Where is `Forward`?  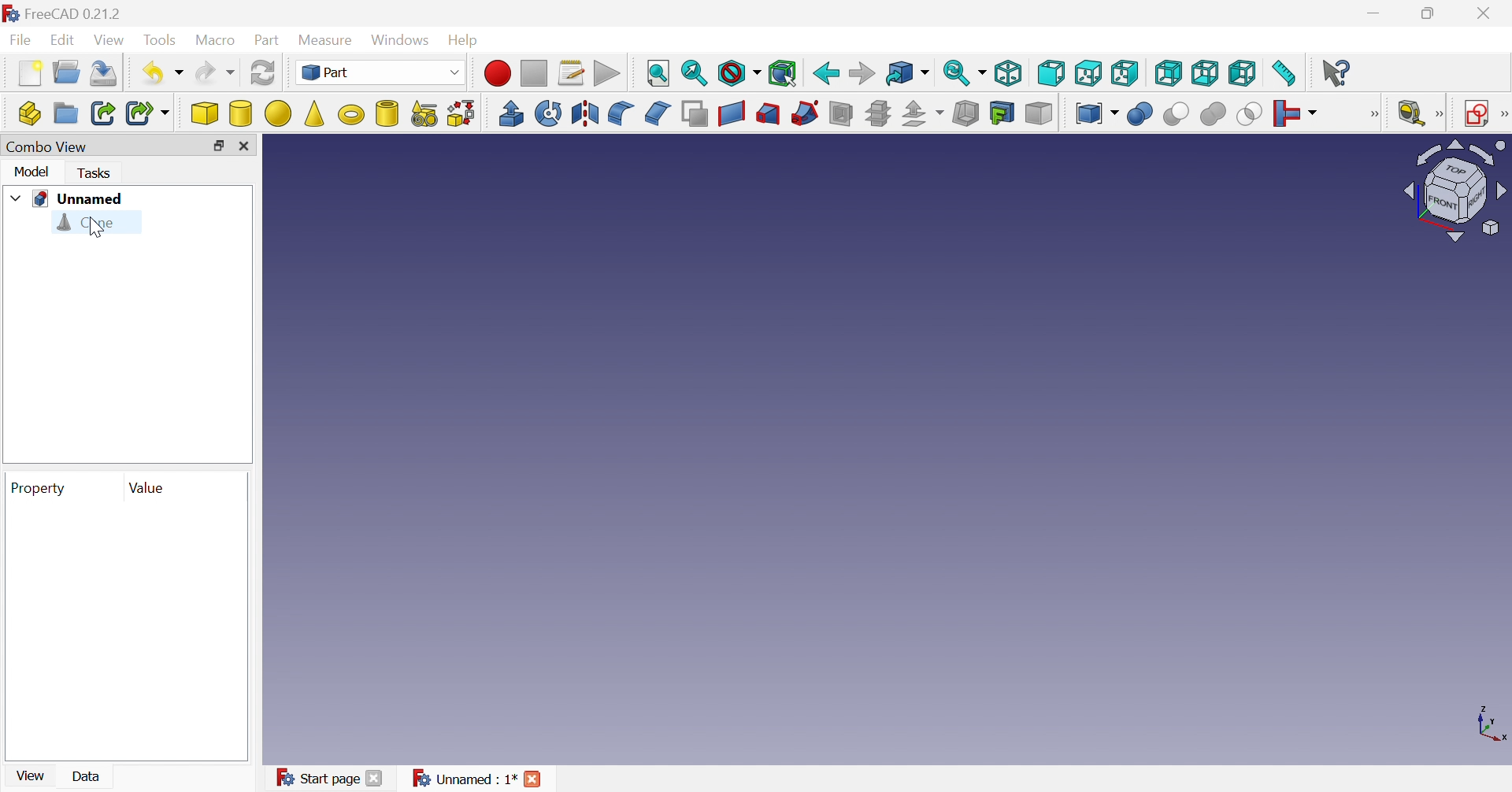
Forward is located at coordinates (863, 71).